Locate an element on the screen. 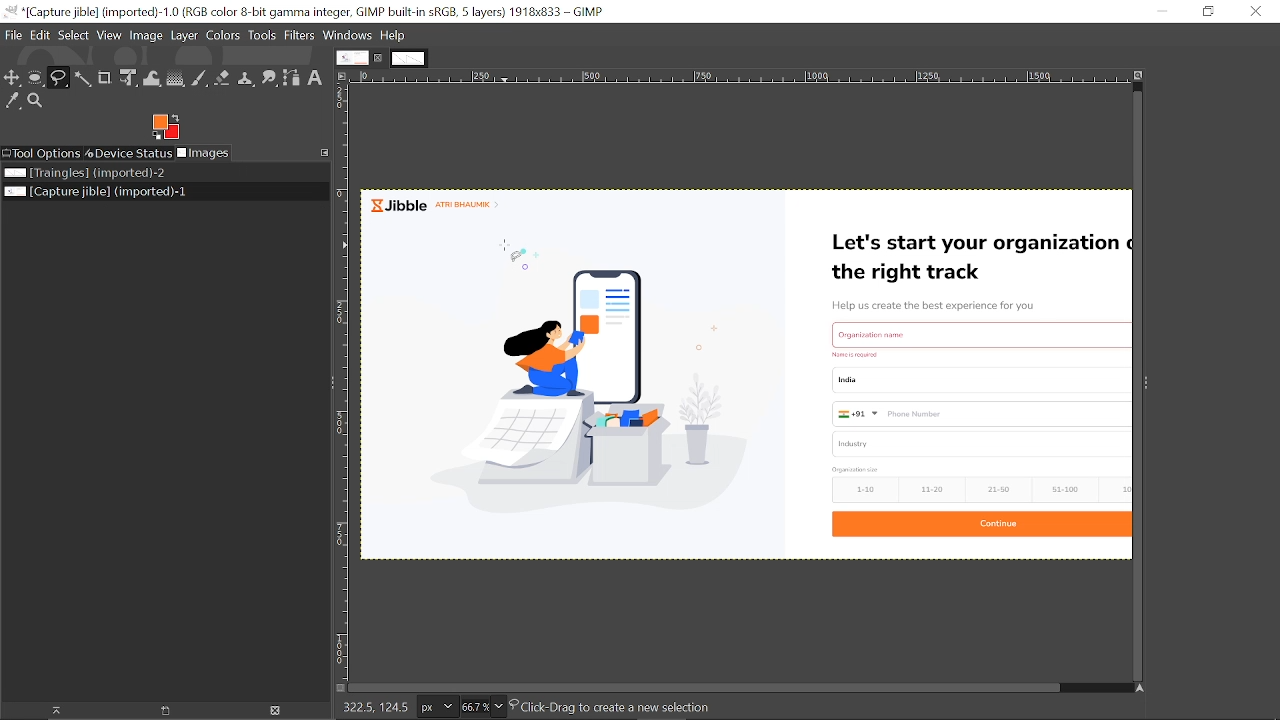  Configure this tab is located at coordinates (326, 152).